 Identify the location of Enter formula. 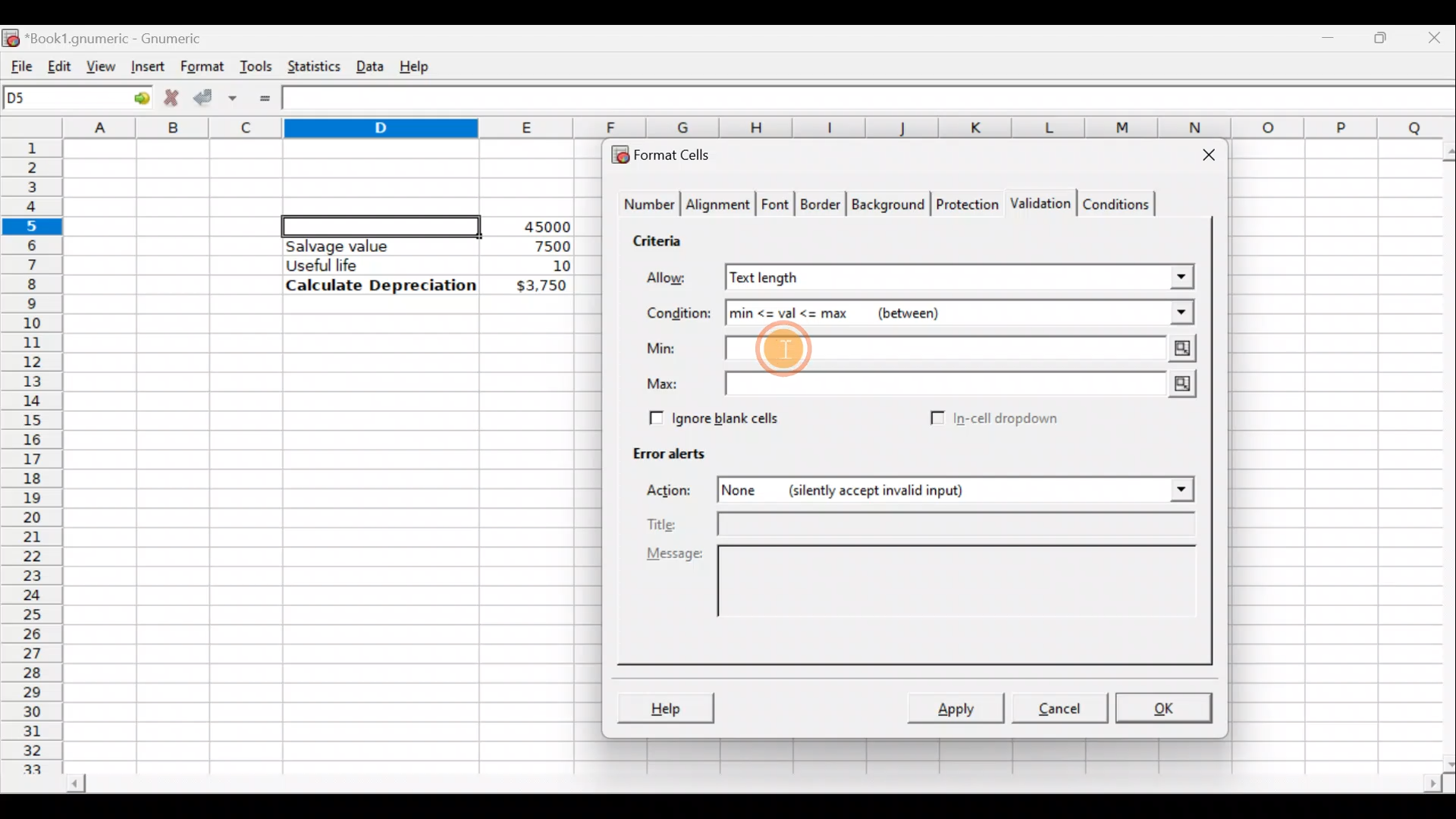
(265, 99).